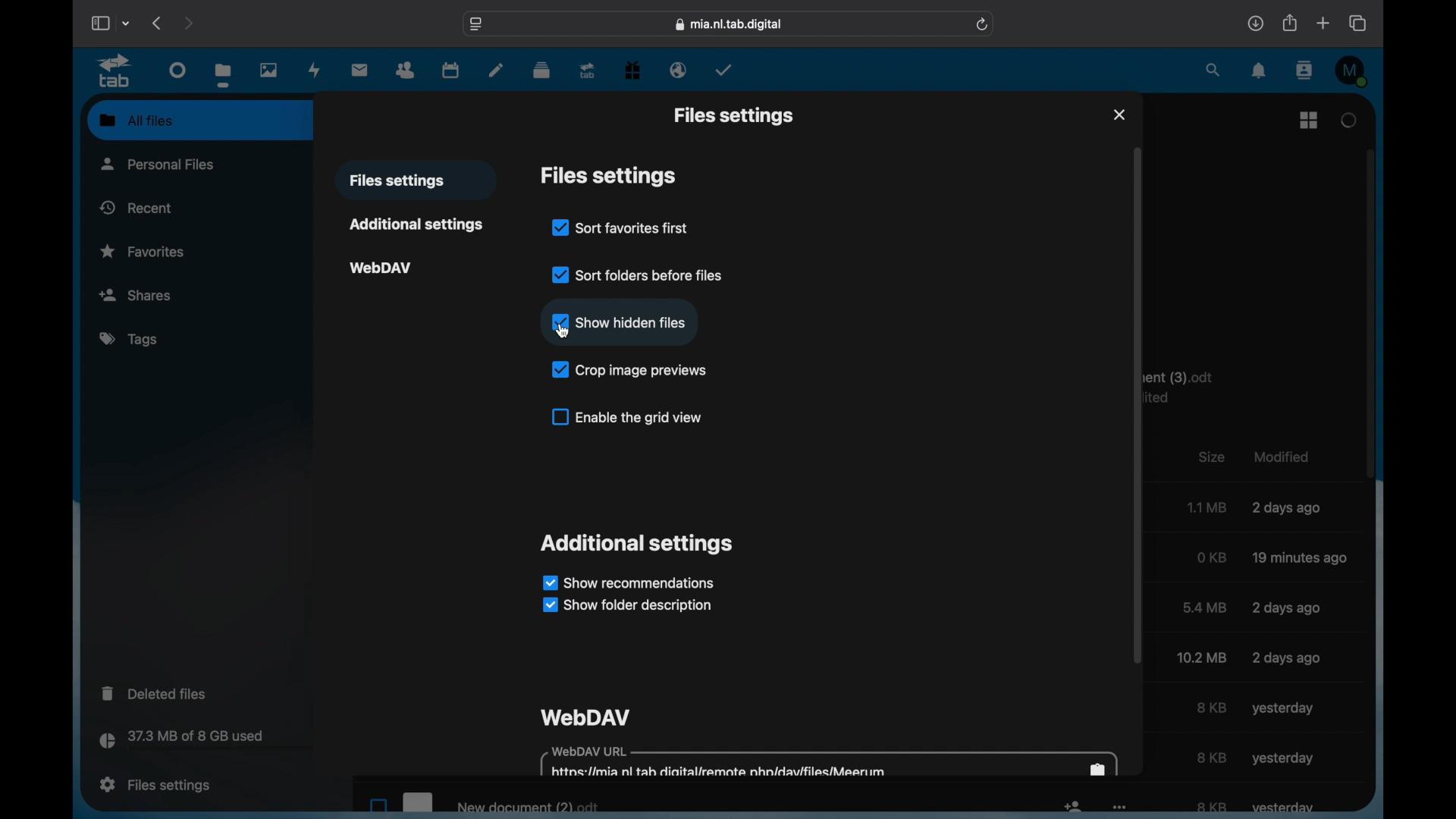 The height and width of the screenshot is (819, 1456). Describe the element at coordinates (588, 71) in the screenshot. I see `upgrade` at that location.